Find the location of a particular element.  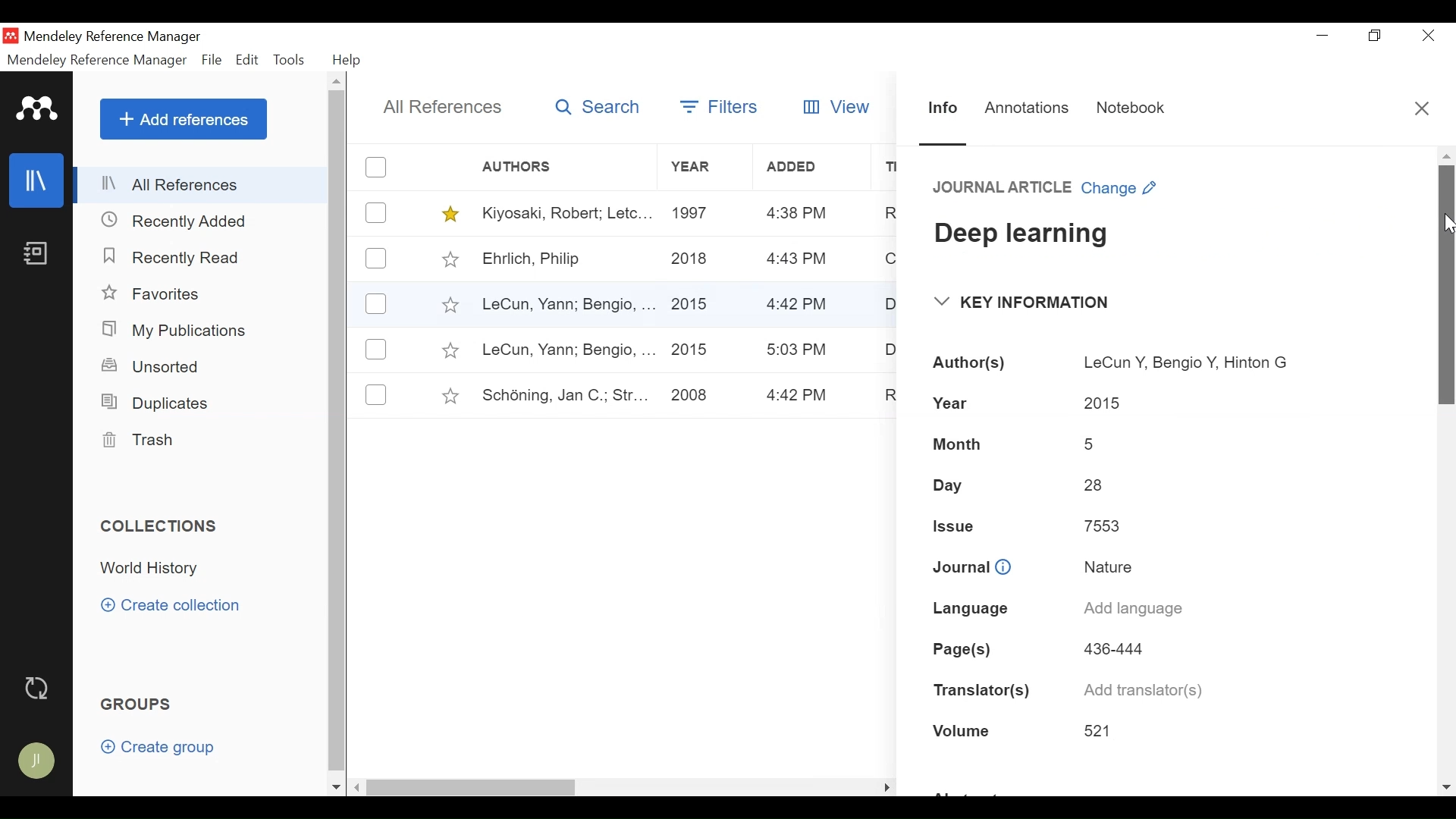

2015 is located at coordinates (1103, 400).